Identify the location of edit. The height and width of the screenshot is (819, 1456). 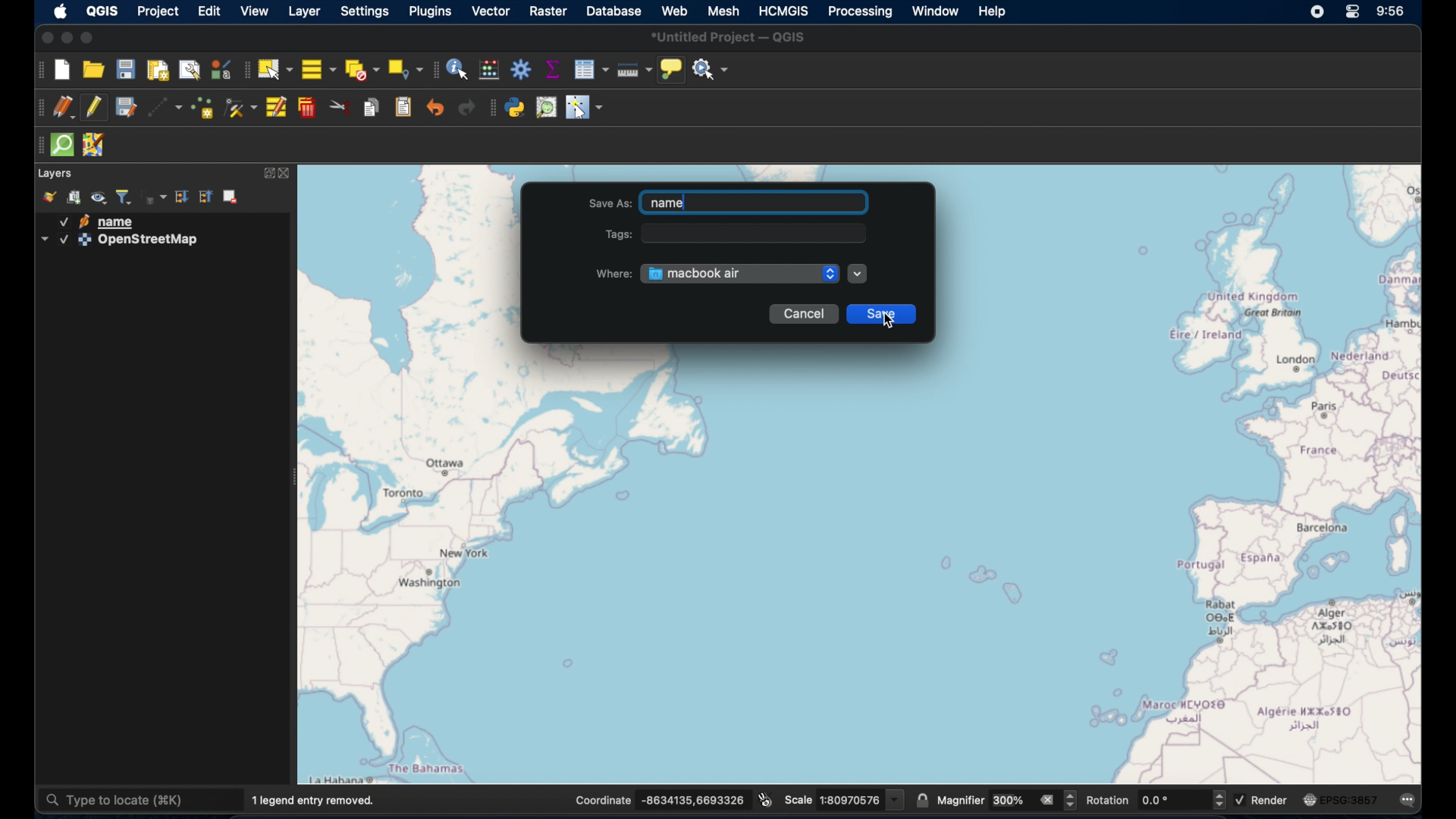
(210, 11).